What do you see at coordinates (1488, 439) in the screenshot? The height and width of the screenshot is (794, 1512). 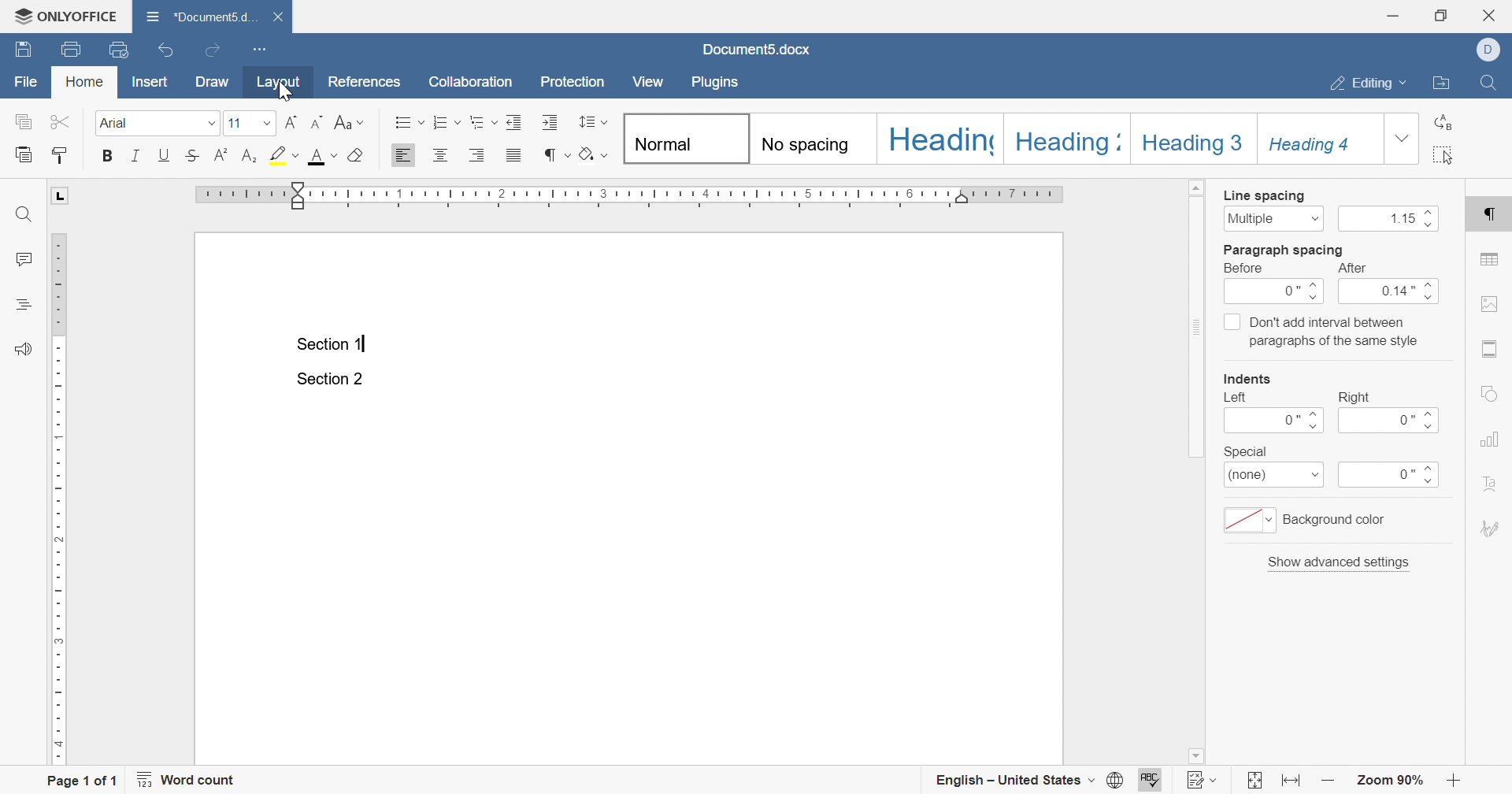 I see `chart settings` at bounding box center [1488, 439].